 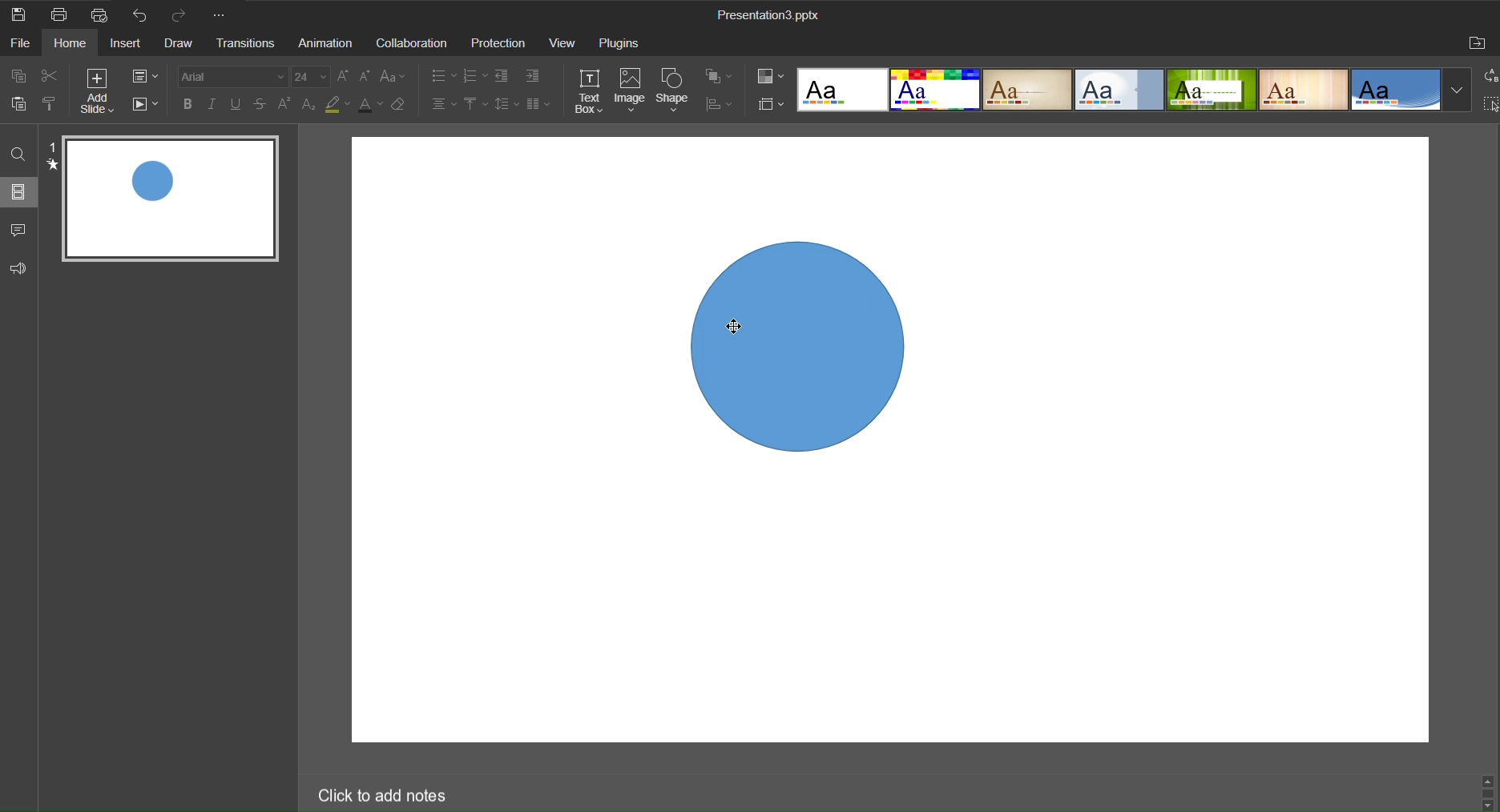 What do you see at coordinates (20, 14) in the screenshot?
I see `Save` at bounding box center [20, 14].